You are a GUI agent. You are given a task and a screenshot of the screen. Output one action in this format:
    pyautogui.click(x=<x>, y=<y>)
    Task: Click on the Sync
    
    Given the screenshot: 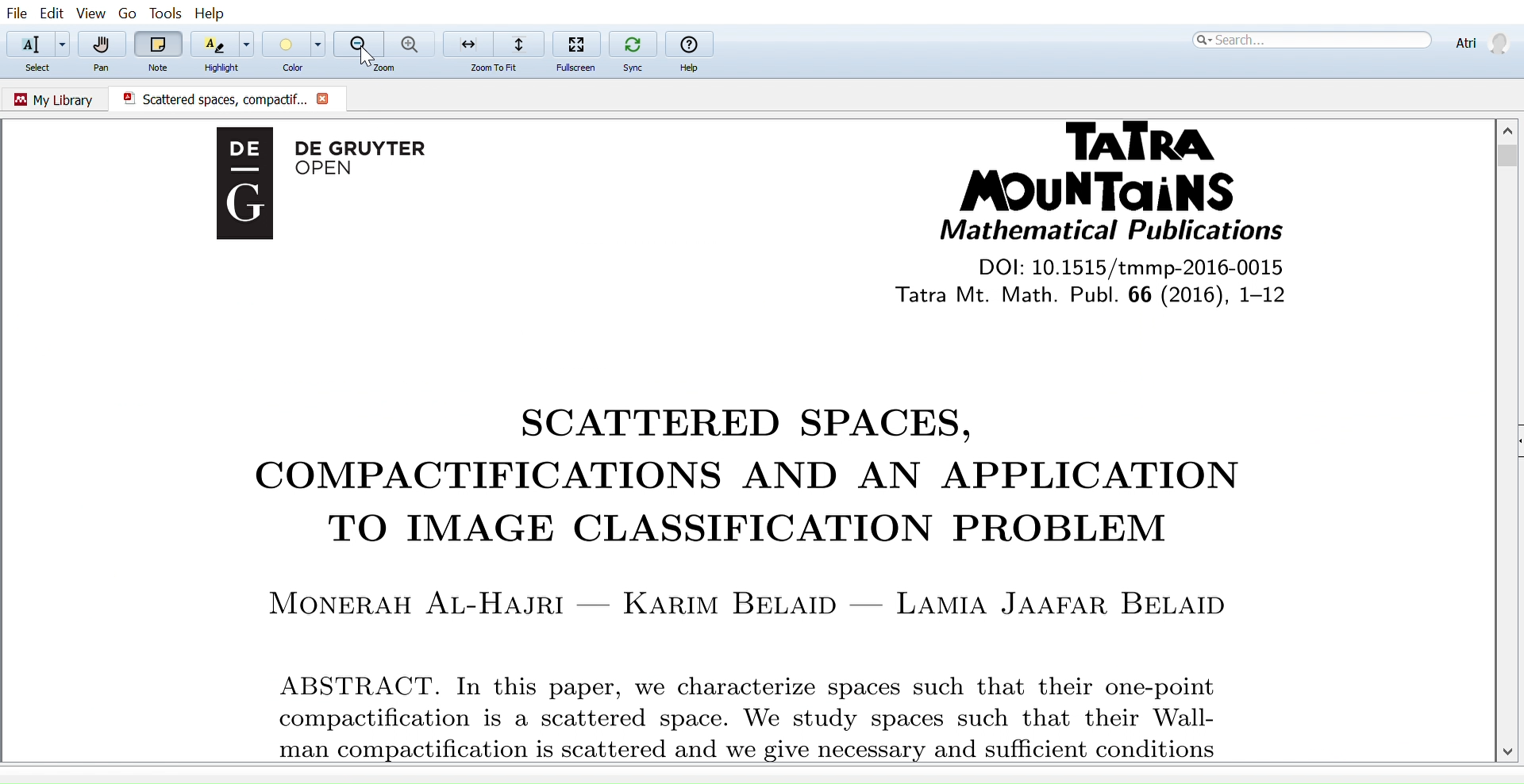 What is the action you would take?
    pyautogui.click(x=633, y=67)
    